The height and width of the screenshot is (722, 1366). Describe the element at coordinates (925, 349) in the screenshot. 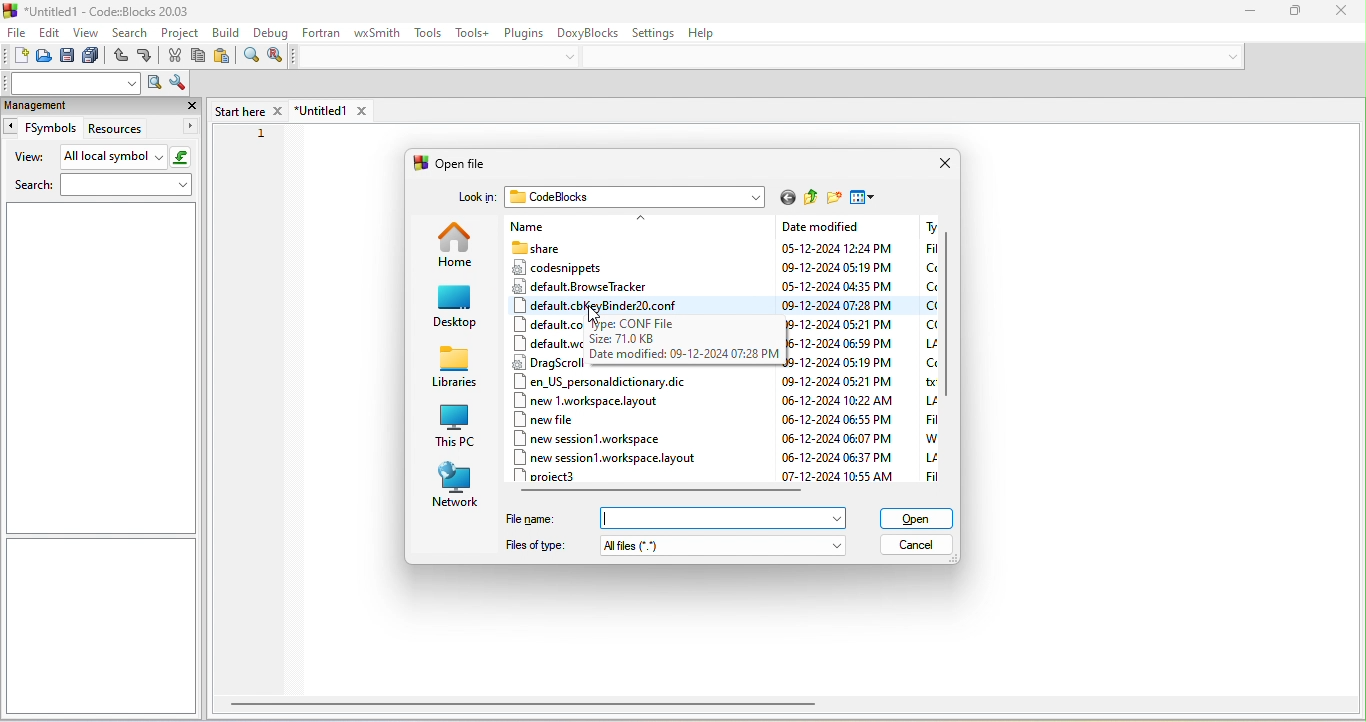

I see `type` at that location.